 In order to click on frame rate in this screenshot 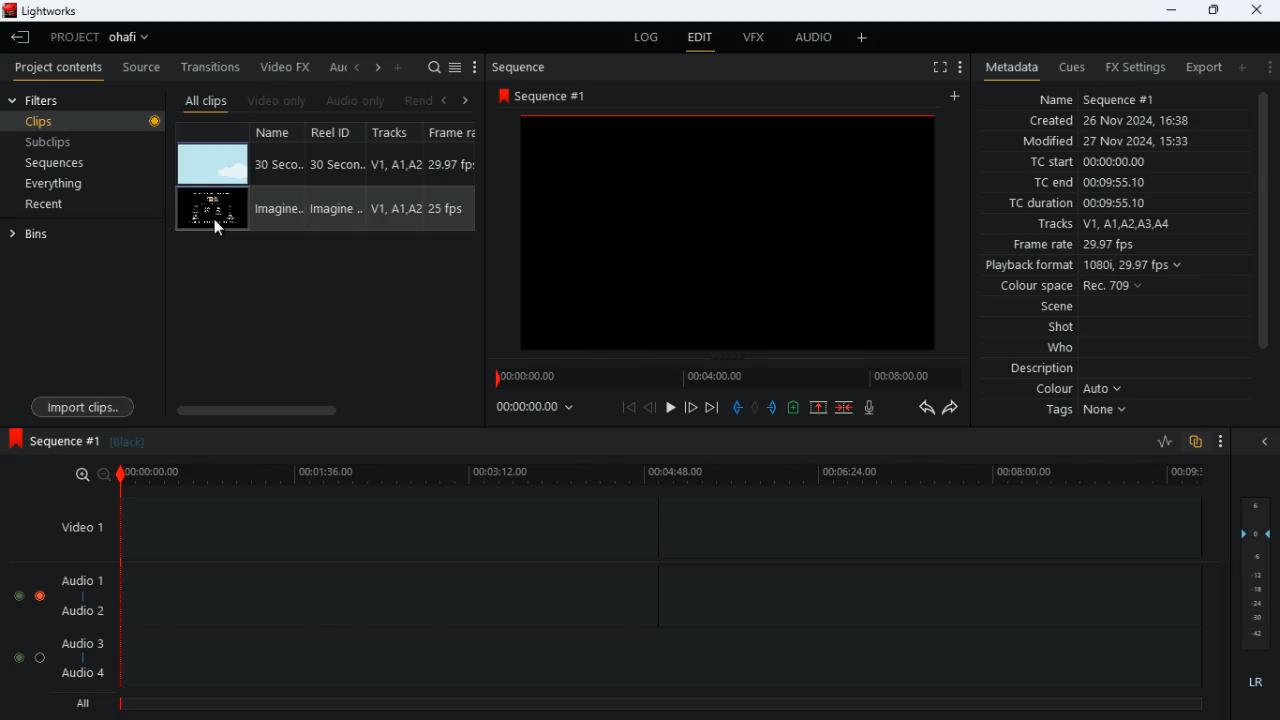, I will do `click(1095, 244)`.